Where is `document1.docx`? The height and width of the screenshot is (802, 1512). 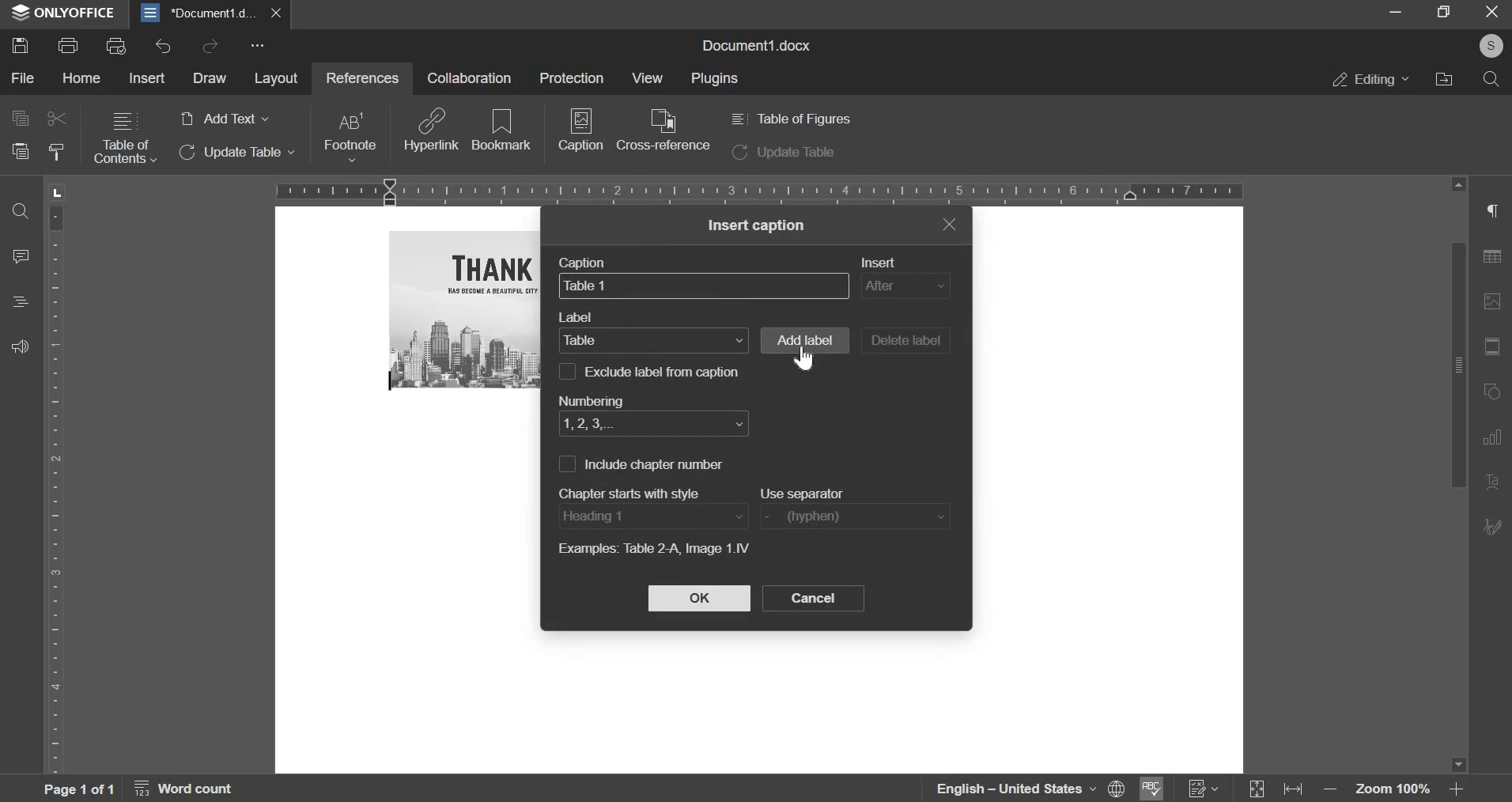 document1.docx is located at coordinates (760, 44).